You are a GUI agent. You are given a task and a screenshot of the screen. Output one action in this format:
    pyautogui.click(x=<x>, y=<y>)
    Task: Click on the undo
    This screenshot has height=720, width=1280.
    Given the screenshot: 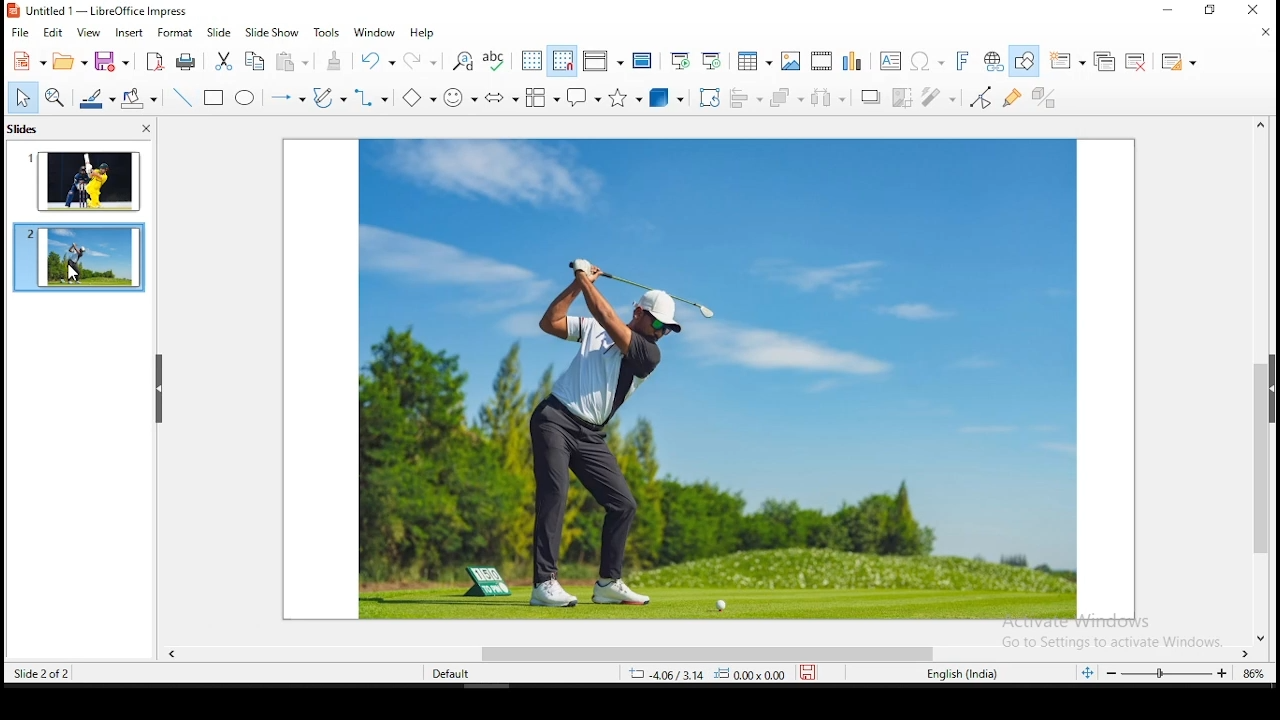 What is the action you would take?
    pyautogui.click(x=378, y=62)
    